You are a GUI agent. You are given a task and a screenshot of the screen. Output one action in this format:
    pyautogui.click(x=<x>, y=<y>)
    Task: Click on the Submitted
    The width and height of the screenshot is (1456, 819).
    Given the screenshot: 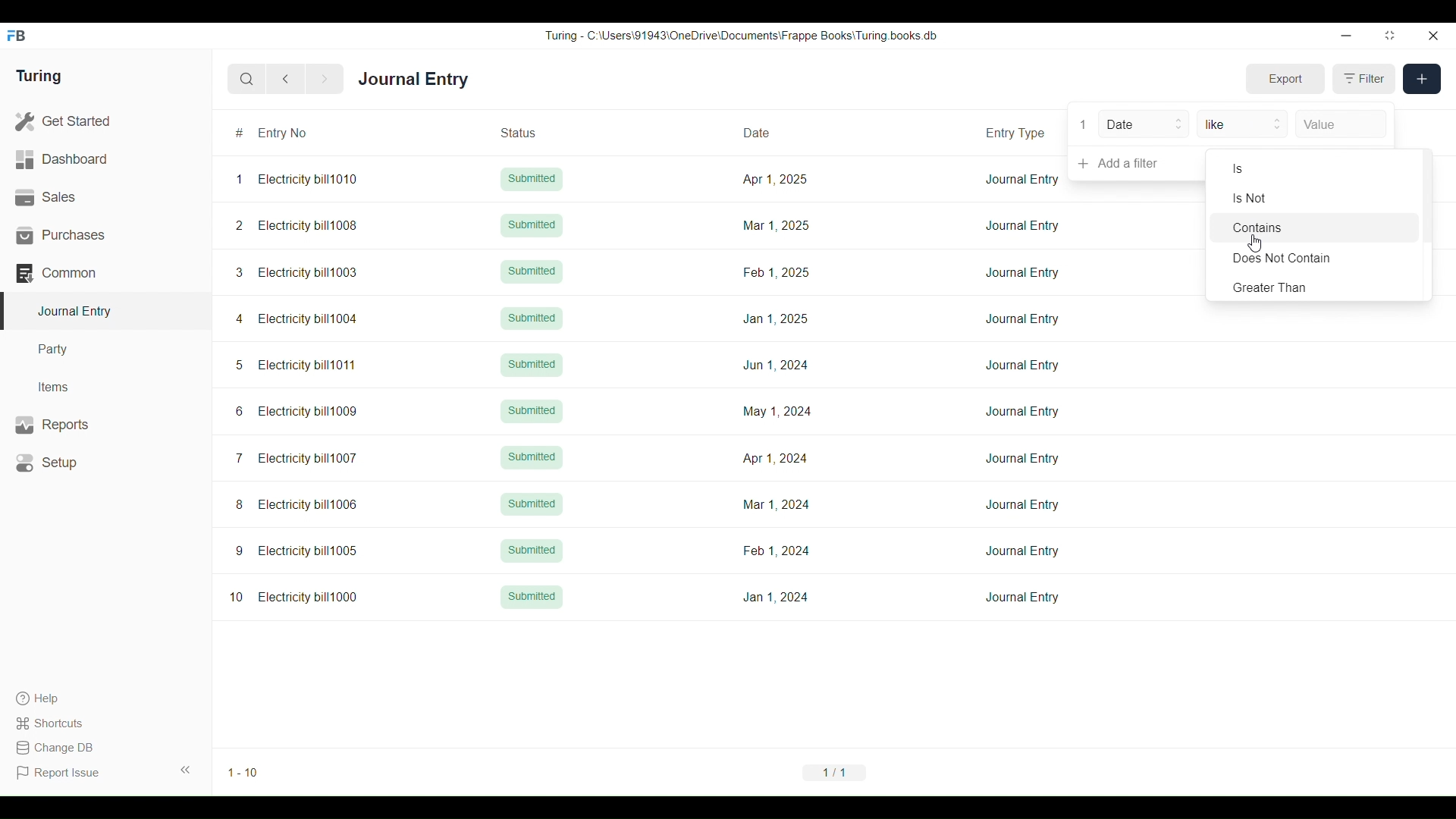 What is the action you would take?
    pyautogui.click(x=532, y=365)
    